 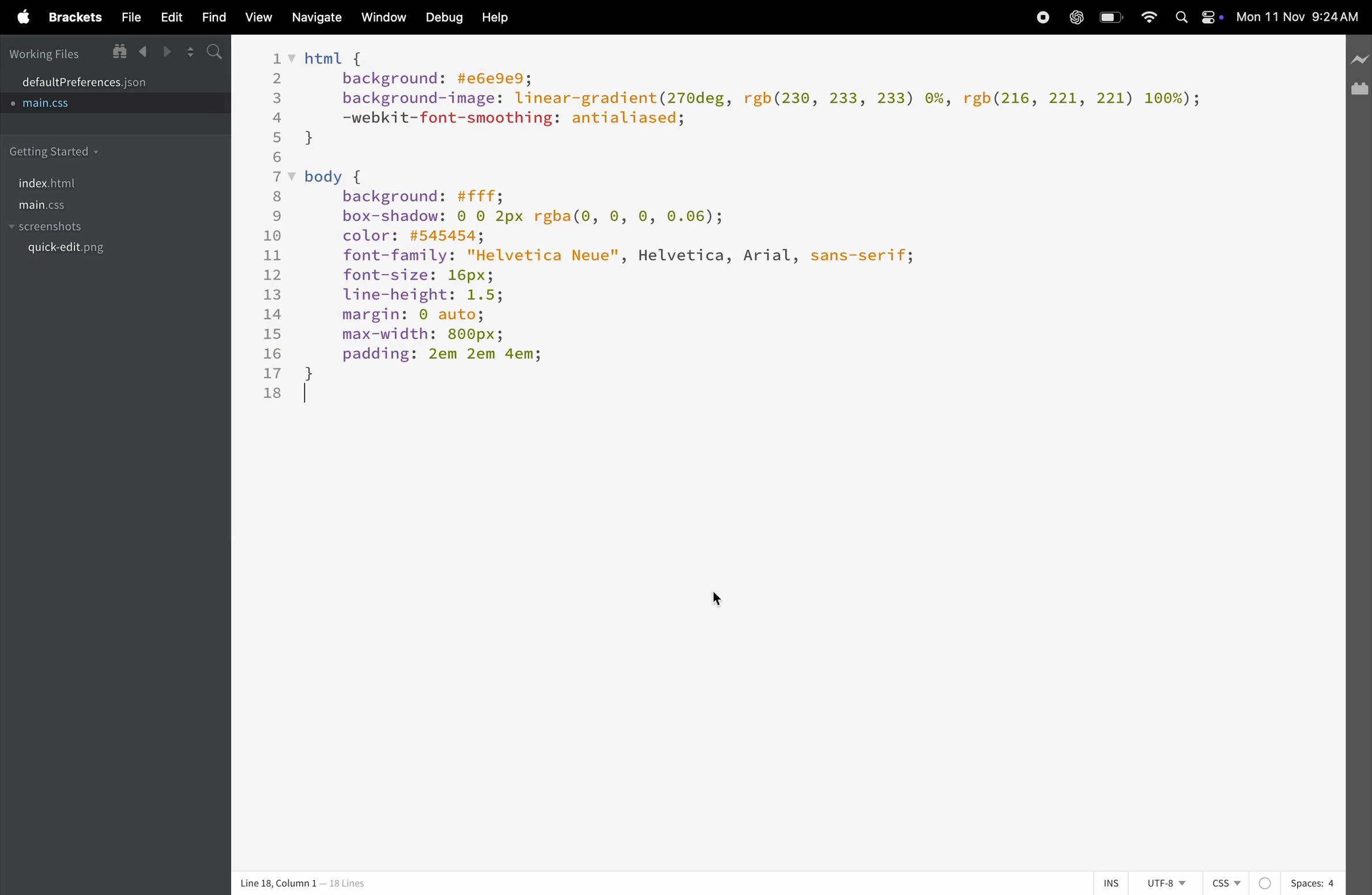 What do you see at coordinates (216, 51) in the screenshot?
I see `search` at bounding box center [216, 51].